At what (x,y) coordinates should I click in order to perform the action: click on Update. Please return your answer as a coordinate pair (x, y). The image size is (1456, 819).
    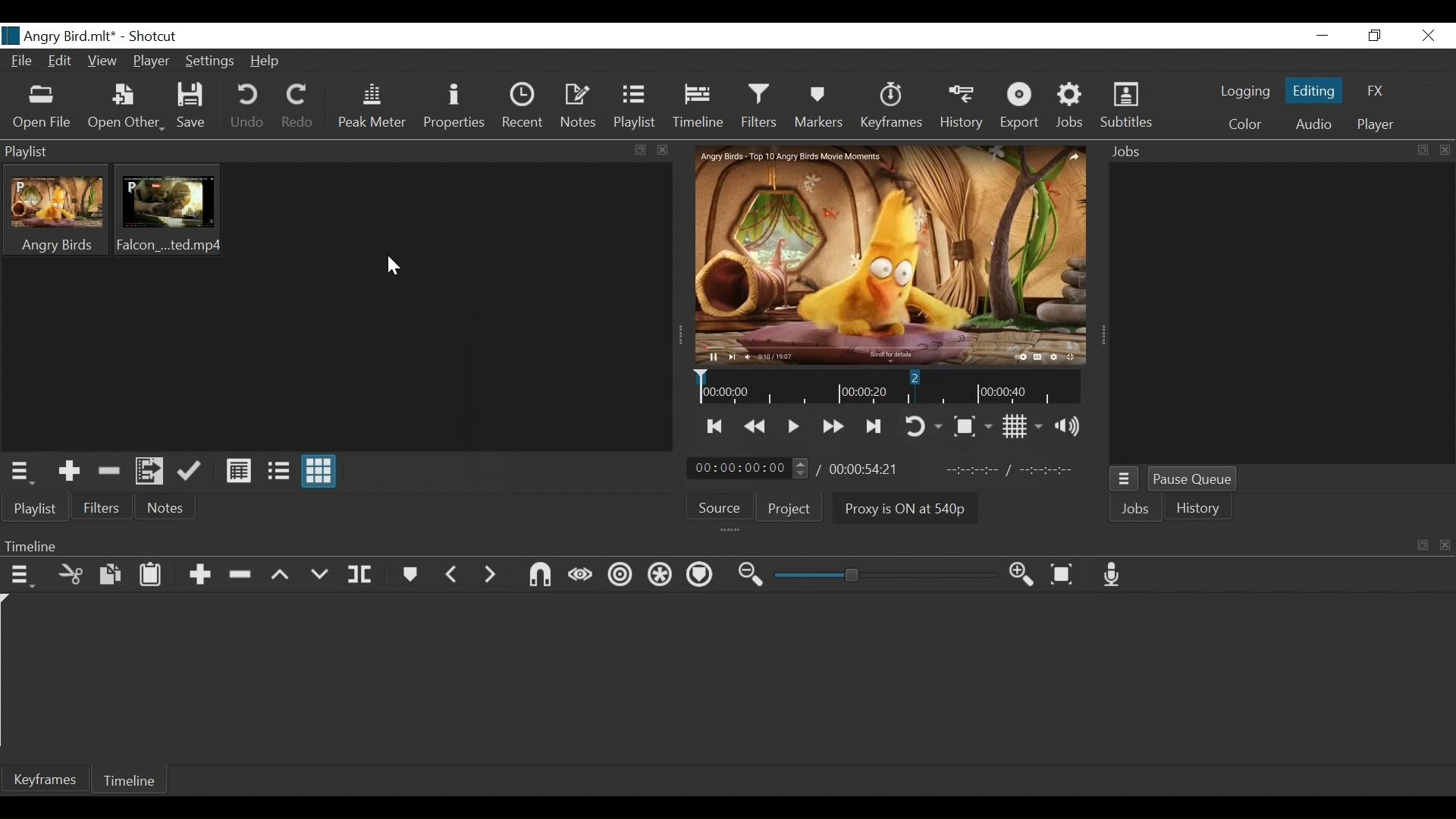
    Looking at the image, I should click on (190, 472).